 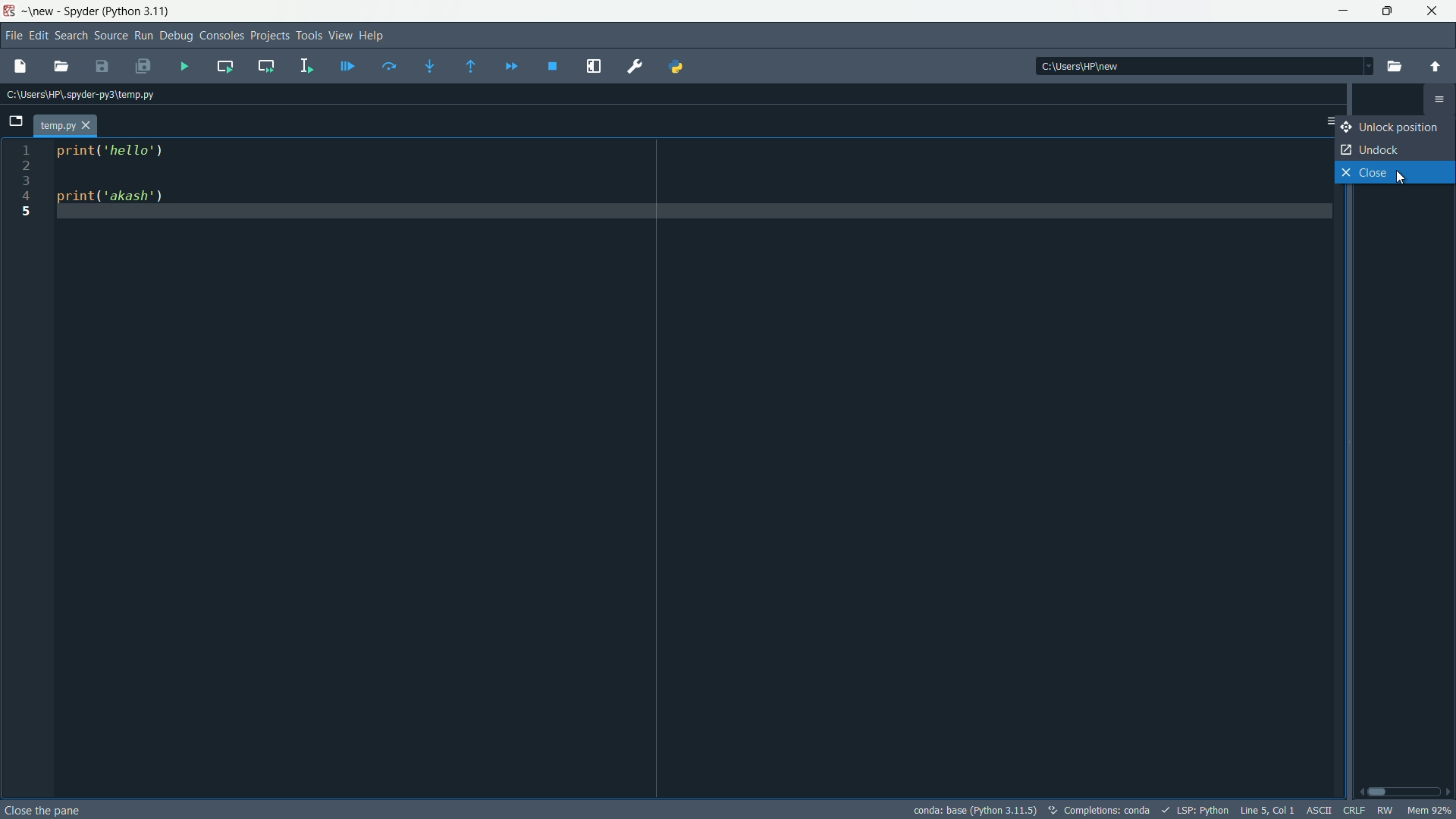 What do you see at coordinates (372, 35) in the screenshot?
I see `Help Menu` at bounding box center [372, 35].